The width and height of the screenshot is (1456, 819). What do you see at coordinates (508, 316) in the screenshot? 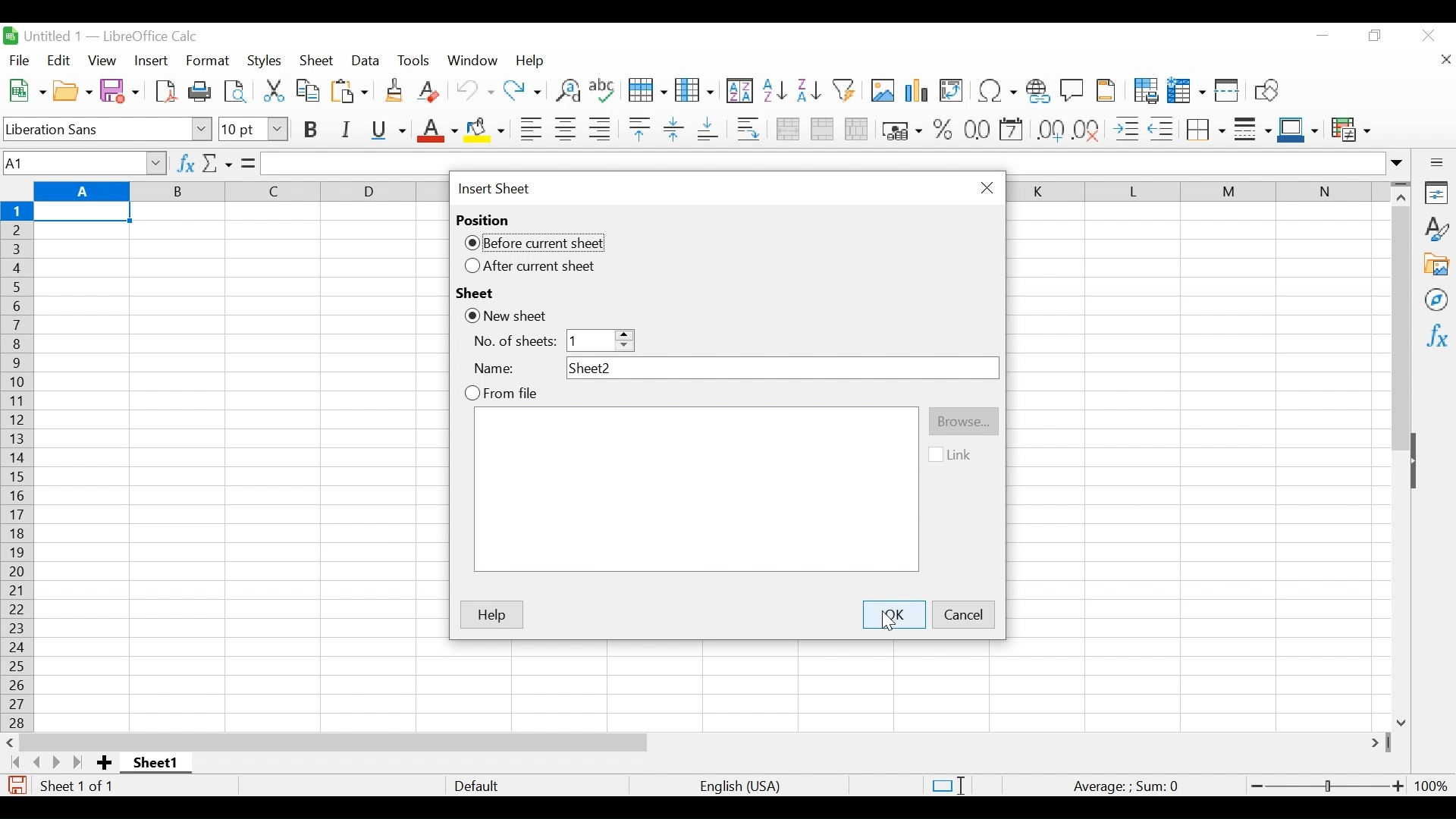
I see `(un)select new sheet` at bounding box center [508, 316].